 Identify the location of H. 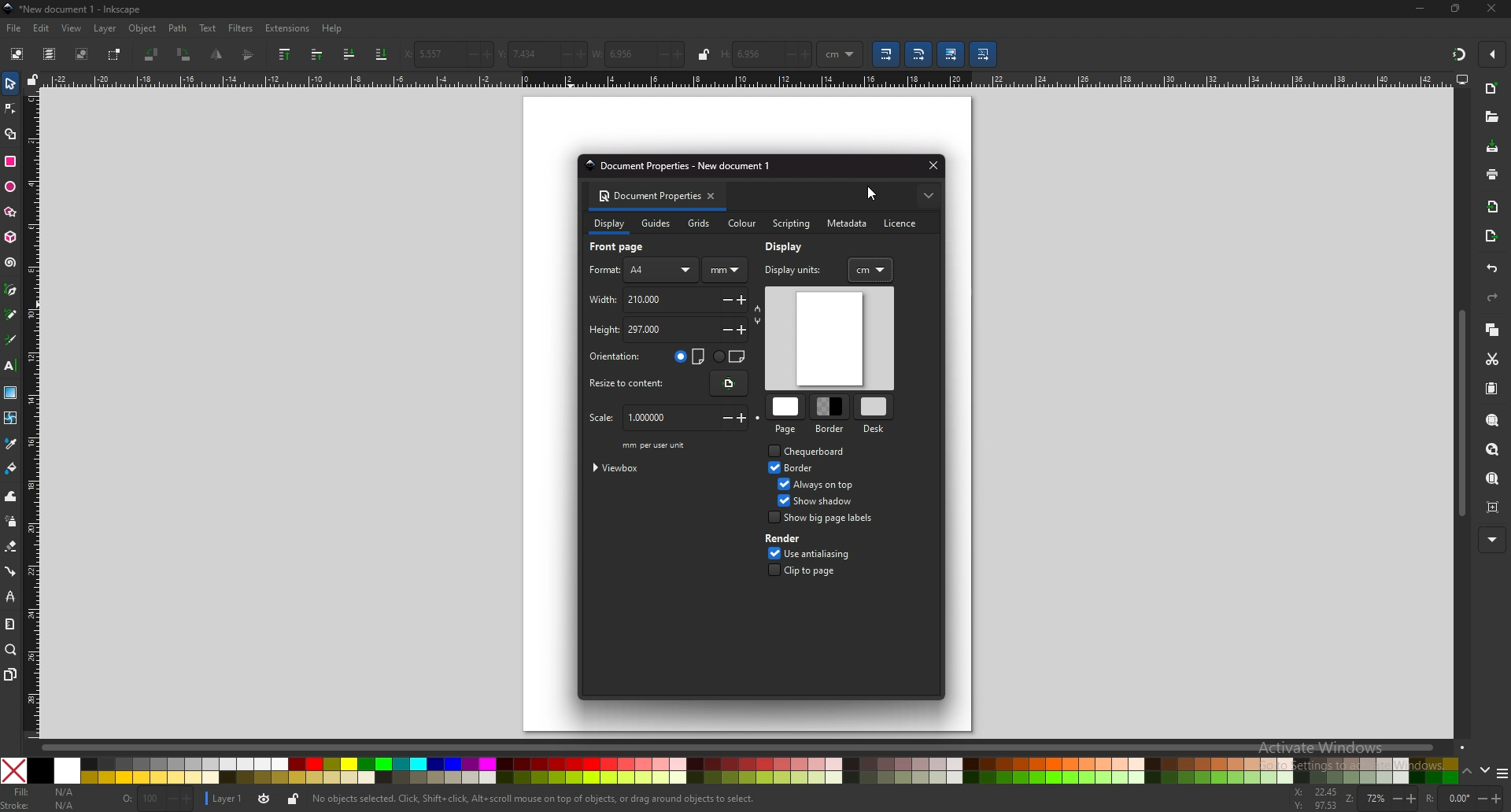
(724, 56).